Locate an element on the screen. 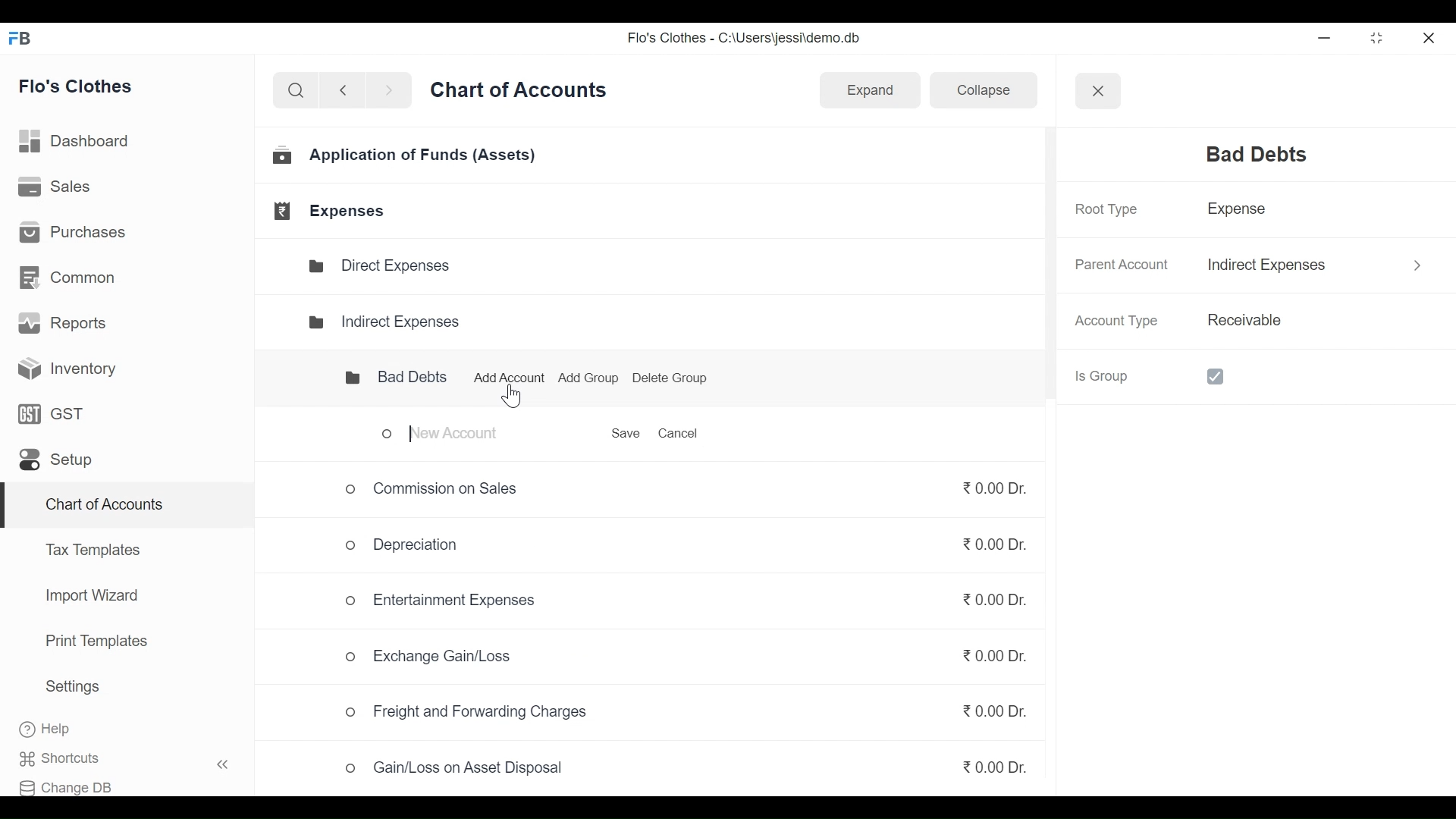  Save is located at coordinates (623, 438).